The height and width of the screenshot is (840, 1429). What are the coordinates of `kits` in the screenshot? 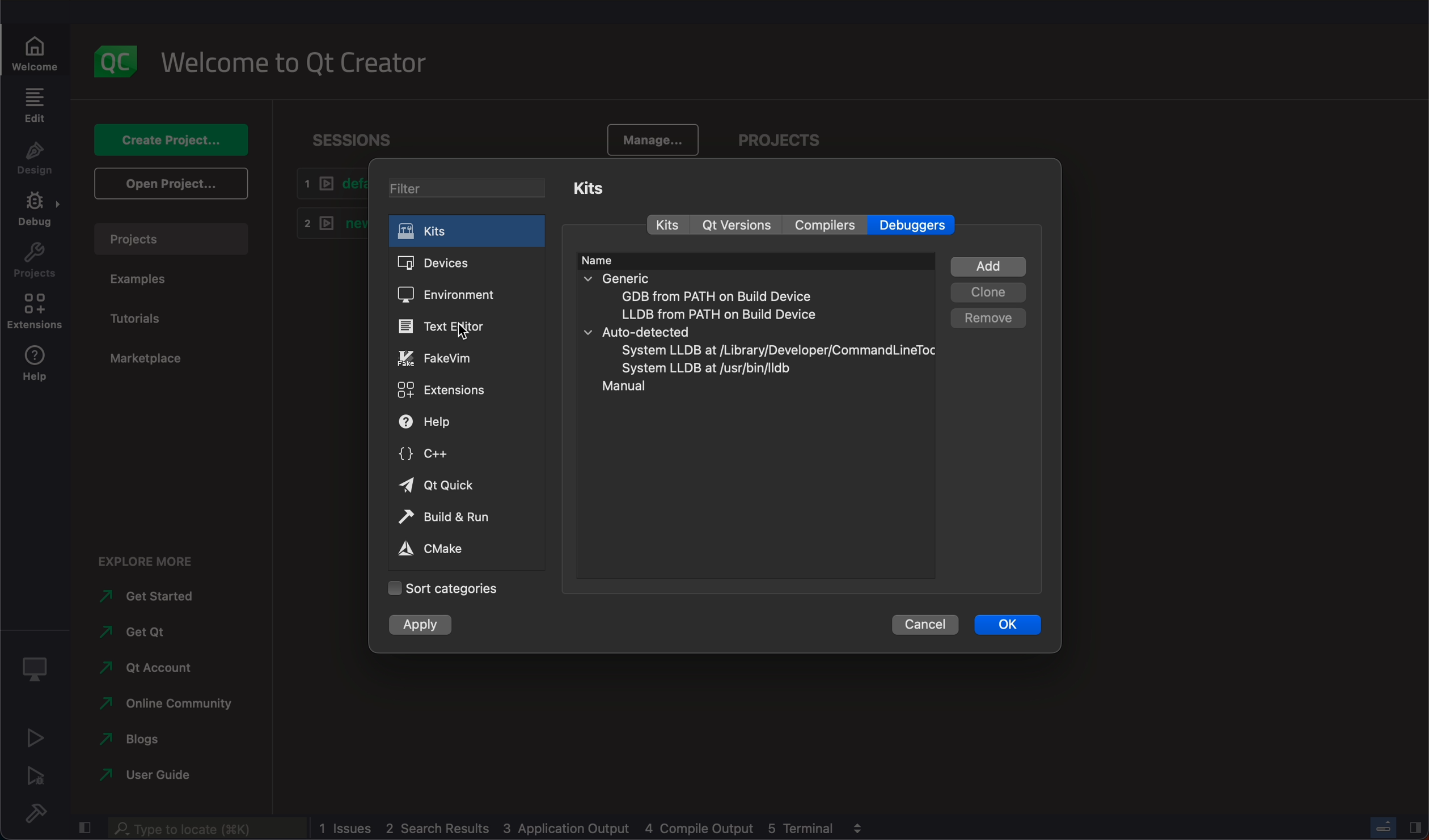 It's located at (669, 225).